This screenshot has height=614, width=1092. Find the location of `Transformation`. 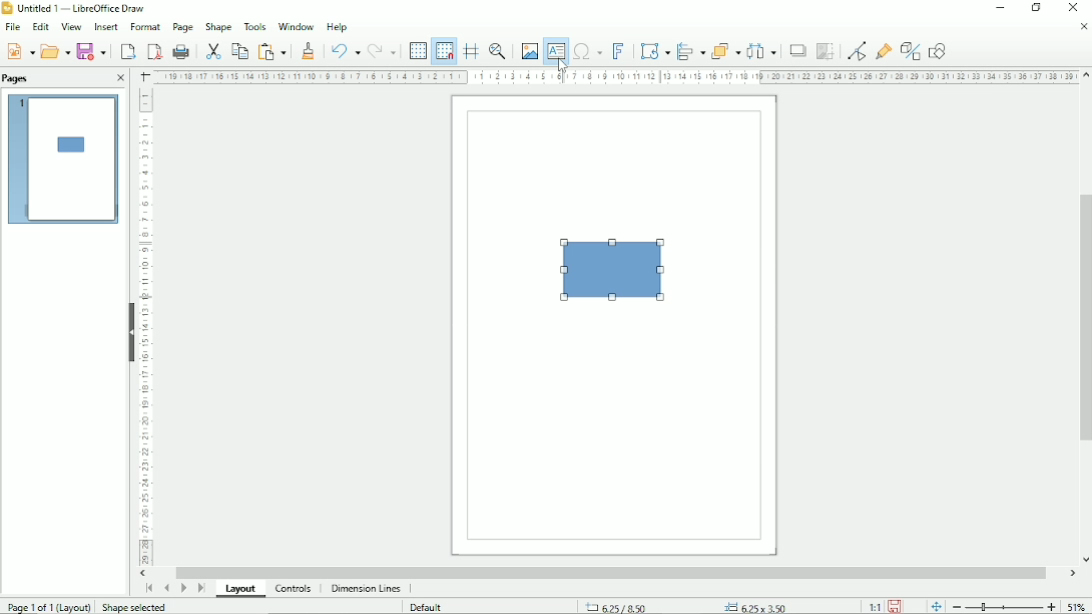

Transformation is located at coordinates (655, 50).